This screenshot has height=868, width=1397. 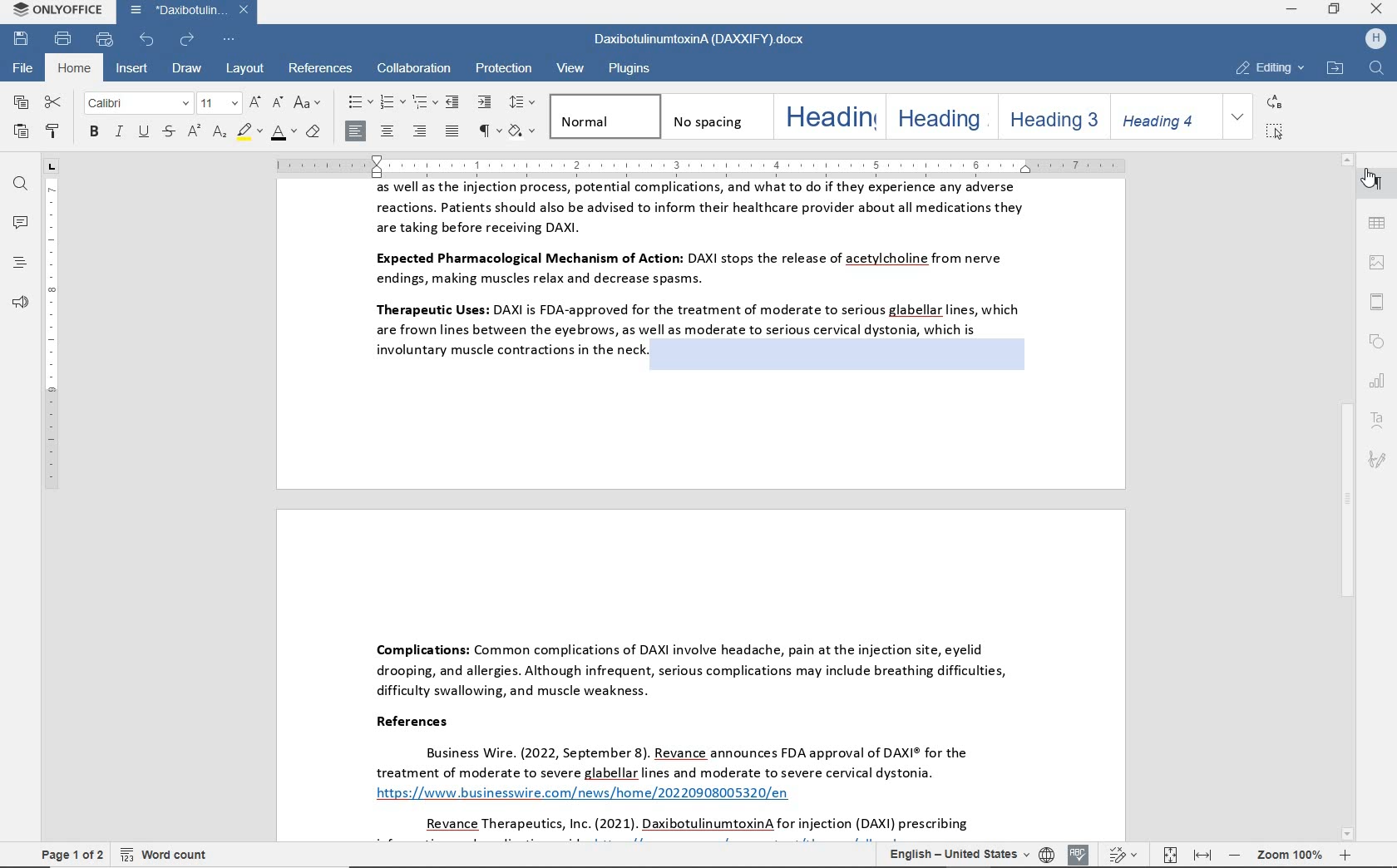 I want to click on insert, so click(x=134, y=69).